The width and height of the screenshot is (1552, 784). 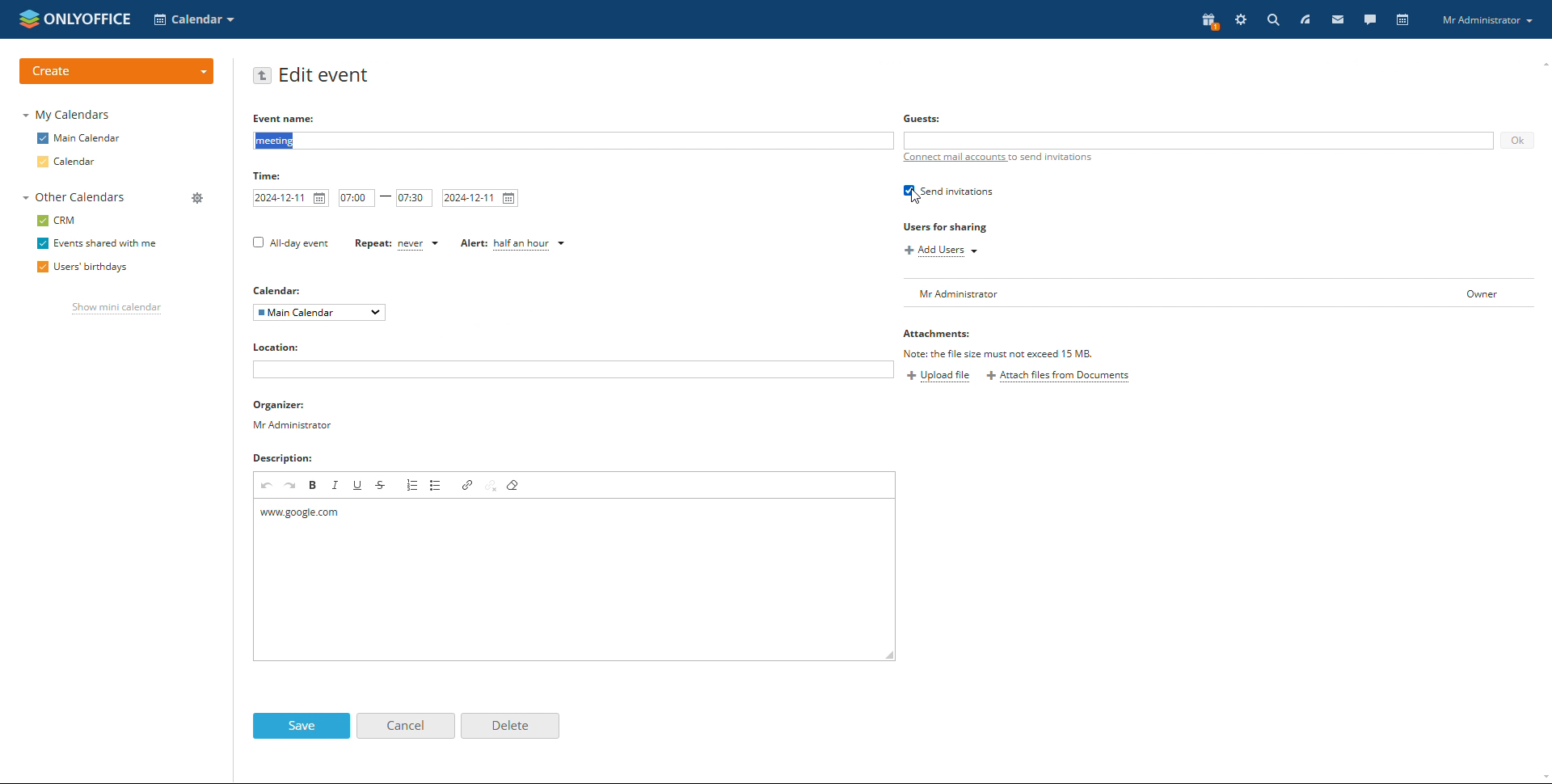 What do you see at coordinates (941, 377) in the screenshot?
I see `upload file` at bounding box center [941, 377].